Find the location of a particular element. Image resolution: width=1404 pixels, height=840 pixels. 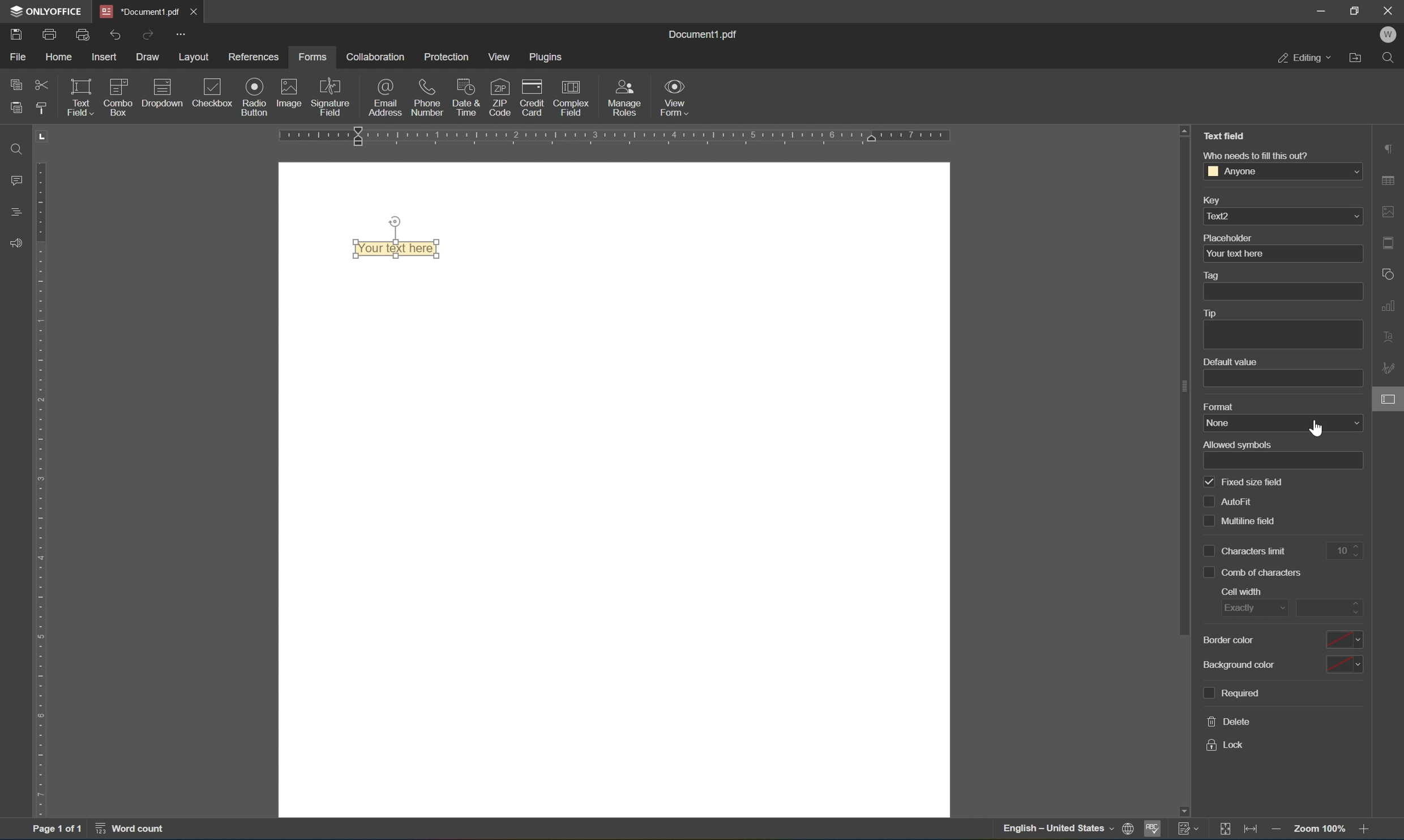

10 is located at coordinates (1346, 548).